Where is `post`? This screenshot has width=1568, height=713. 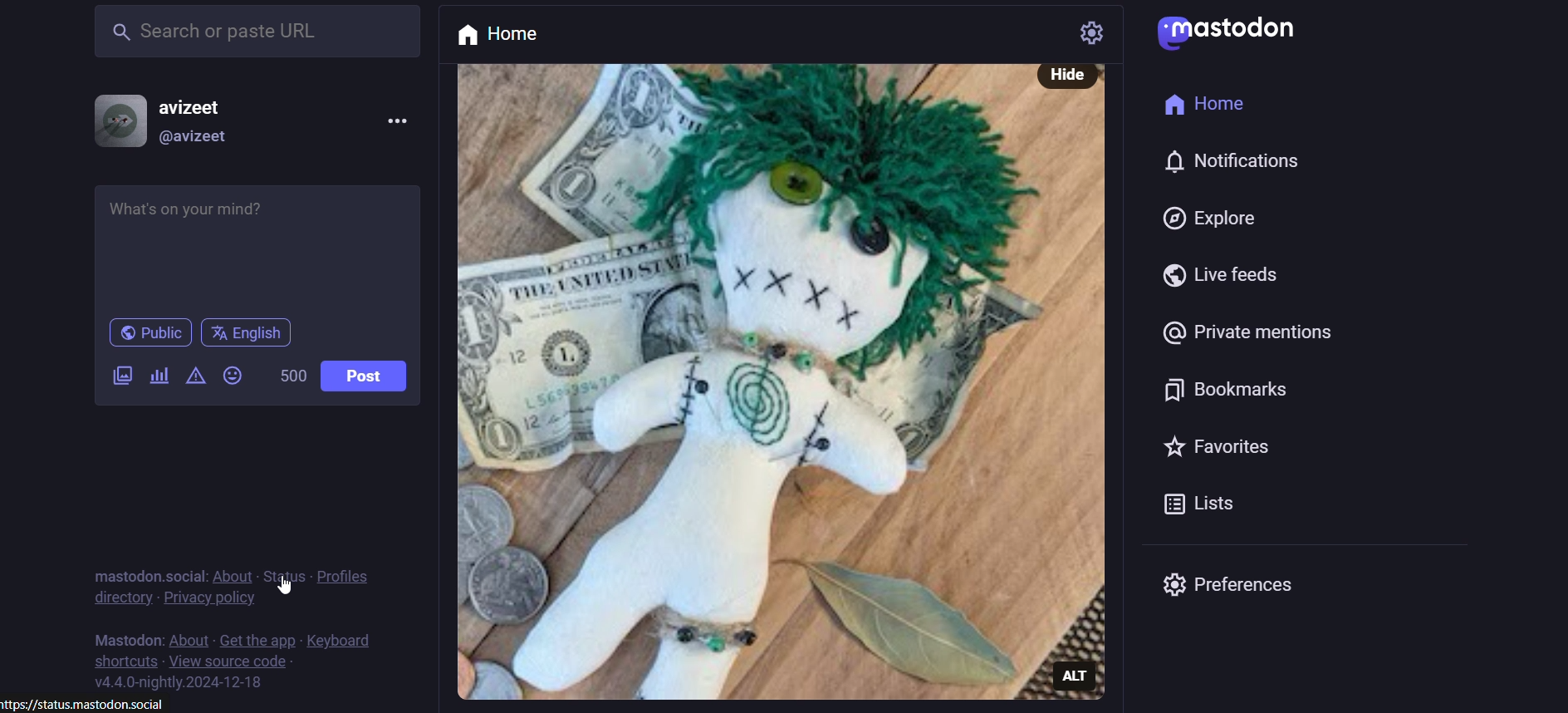 post is located at coordinates (365, 374).